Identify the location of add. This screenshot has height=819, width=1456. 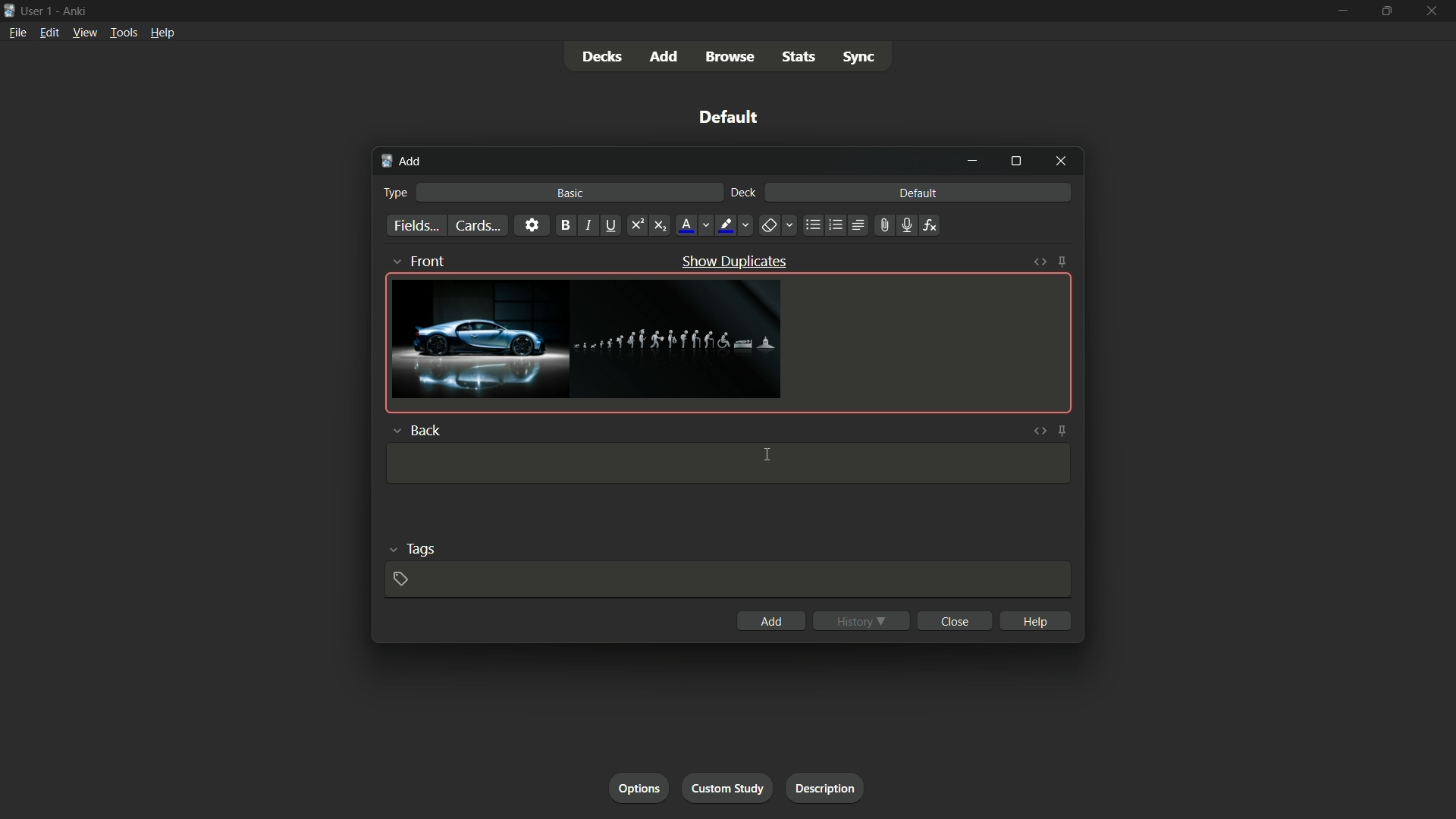
(662, 56).